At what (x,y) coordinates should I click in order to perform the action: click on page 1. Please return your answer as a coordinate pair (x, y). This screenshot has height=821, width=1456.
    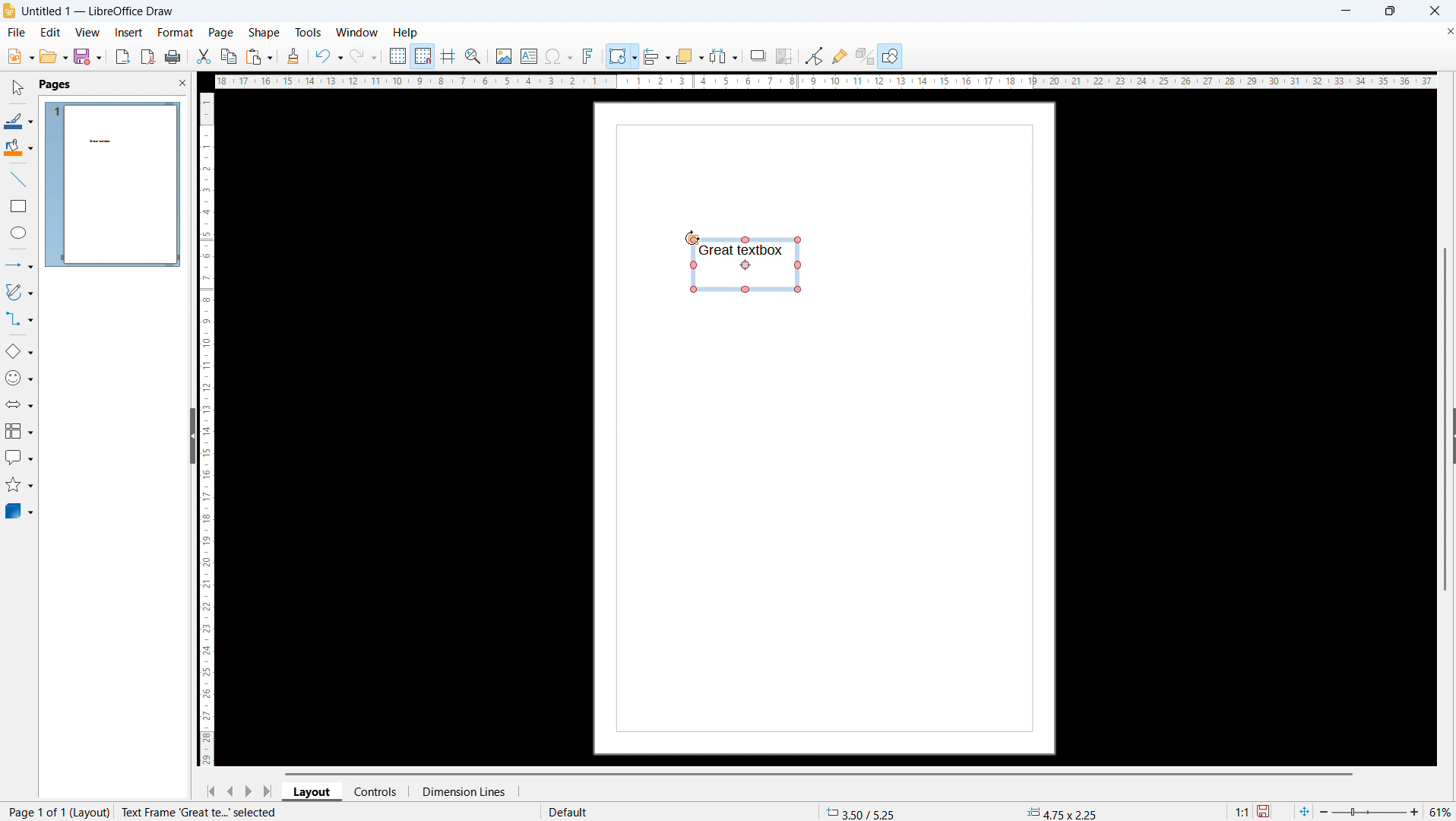
    Looking at the image, I should click on (113, 184).